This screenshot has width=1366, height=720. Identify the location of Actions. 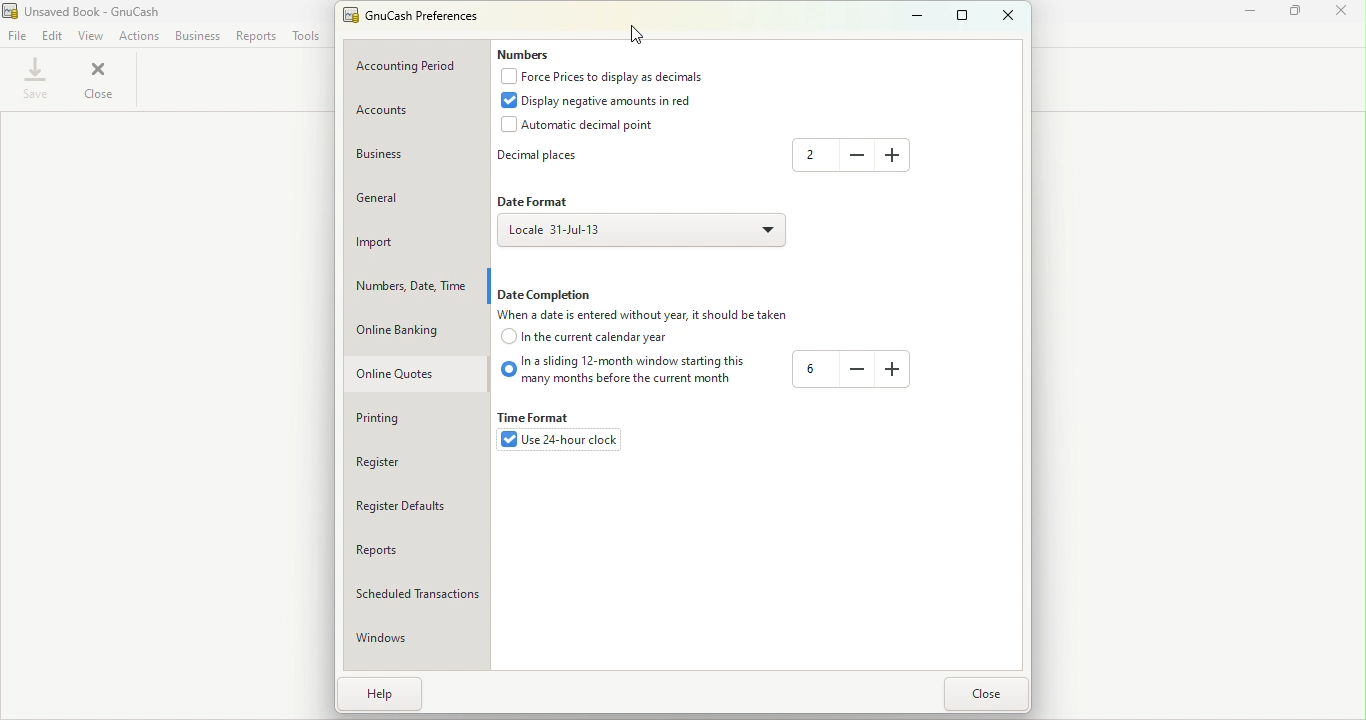
(137, 35).